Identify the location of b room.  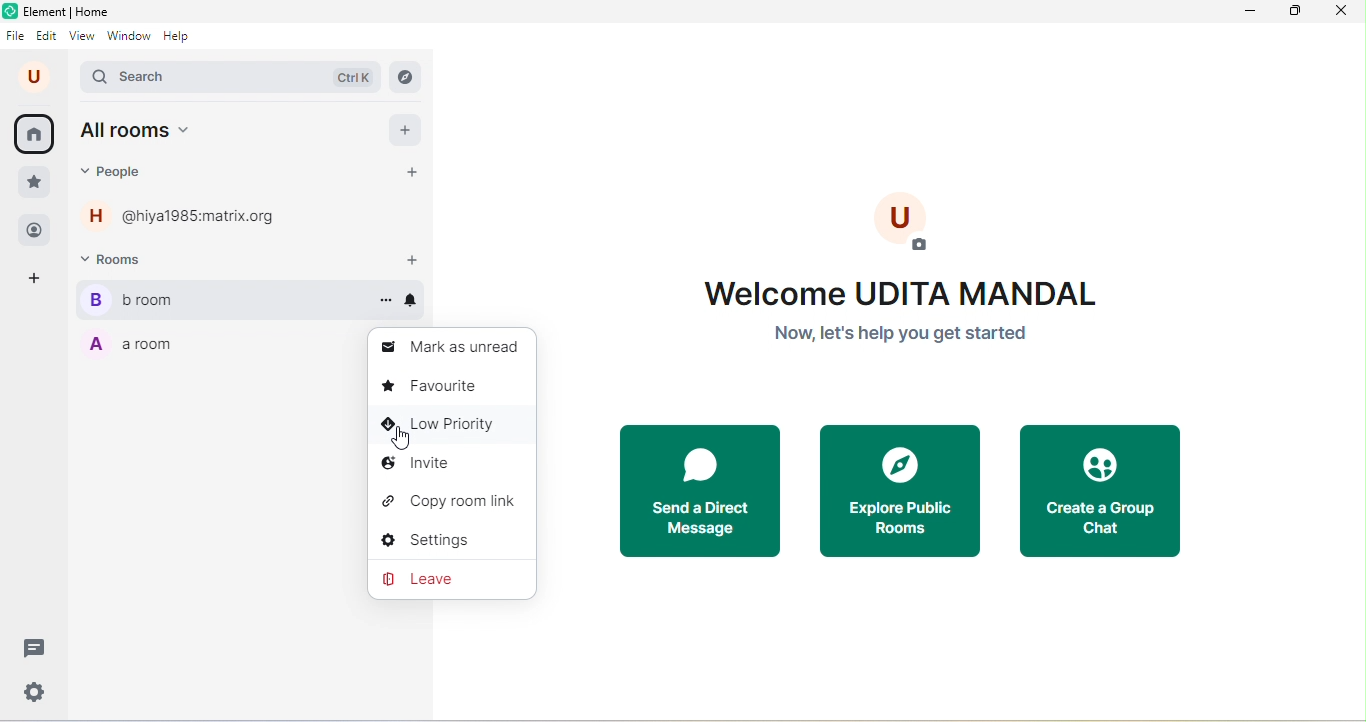
(201, 297).